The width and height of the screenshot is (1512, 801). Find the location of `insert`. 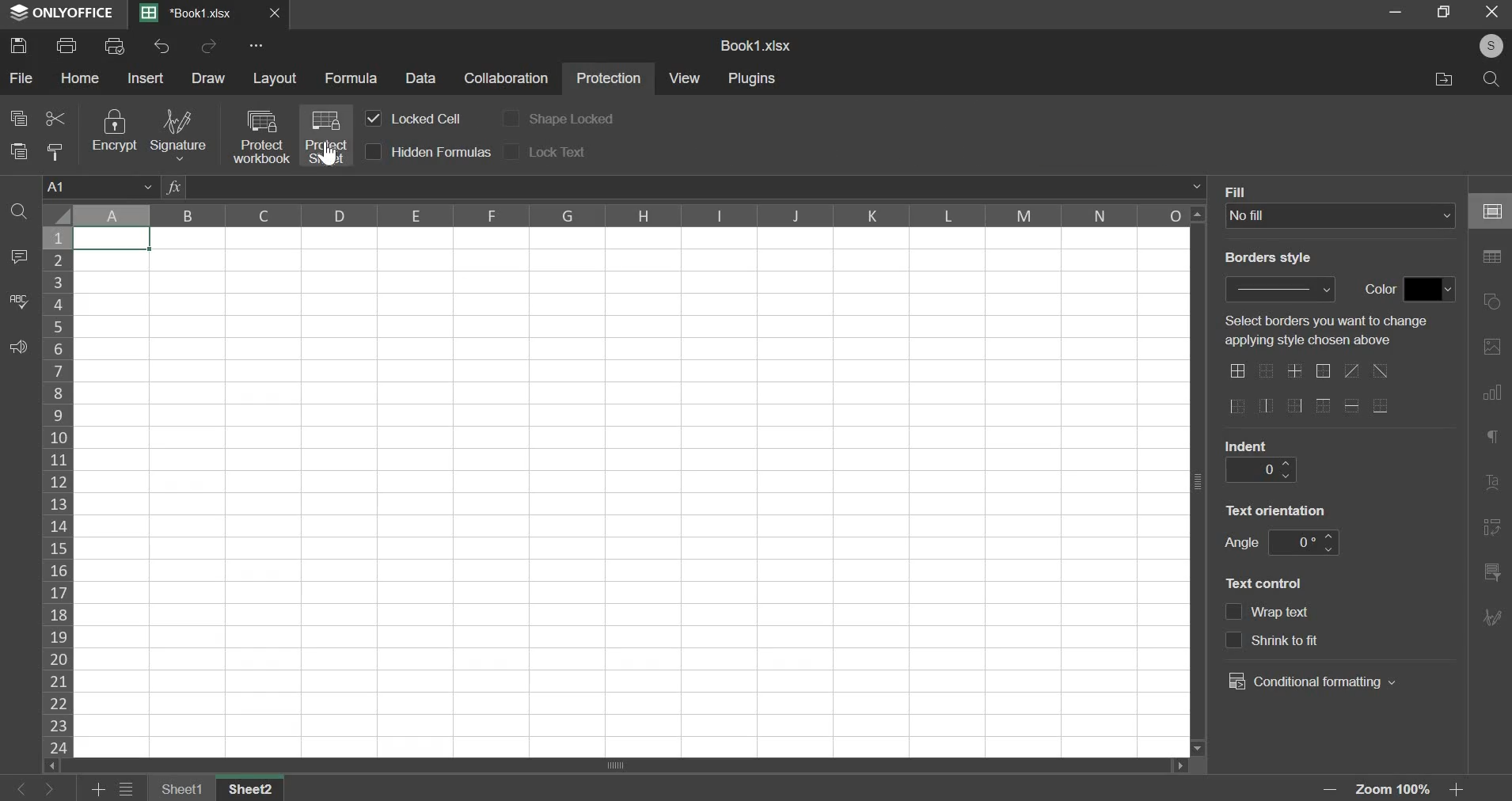

insert is located at coordinates (146, 78).